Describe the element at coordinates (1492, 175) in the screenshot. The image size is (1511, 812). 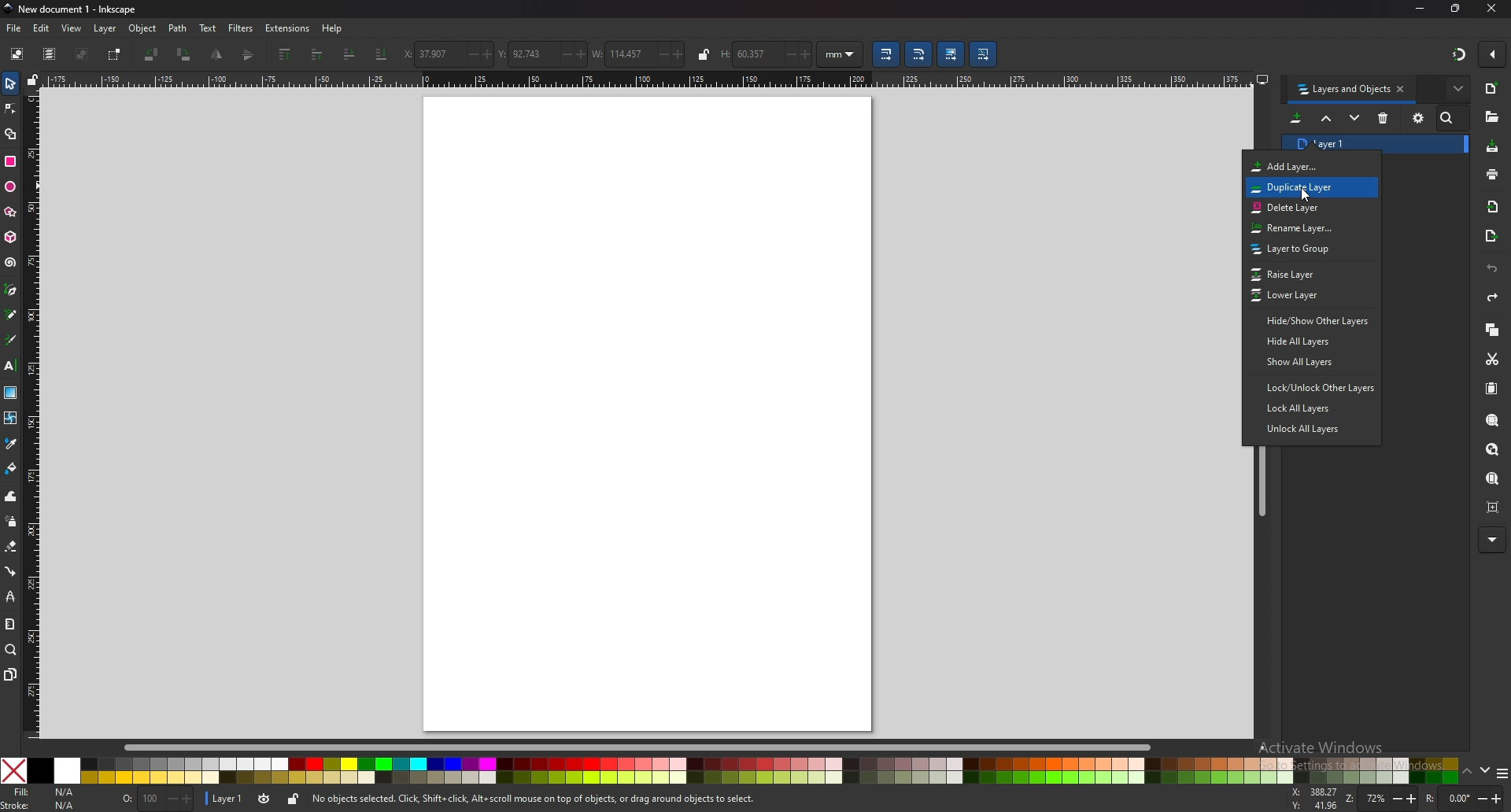
I see `print` at that location.